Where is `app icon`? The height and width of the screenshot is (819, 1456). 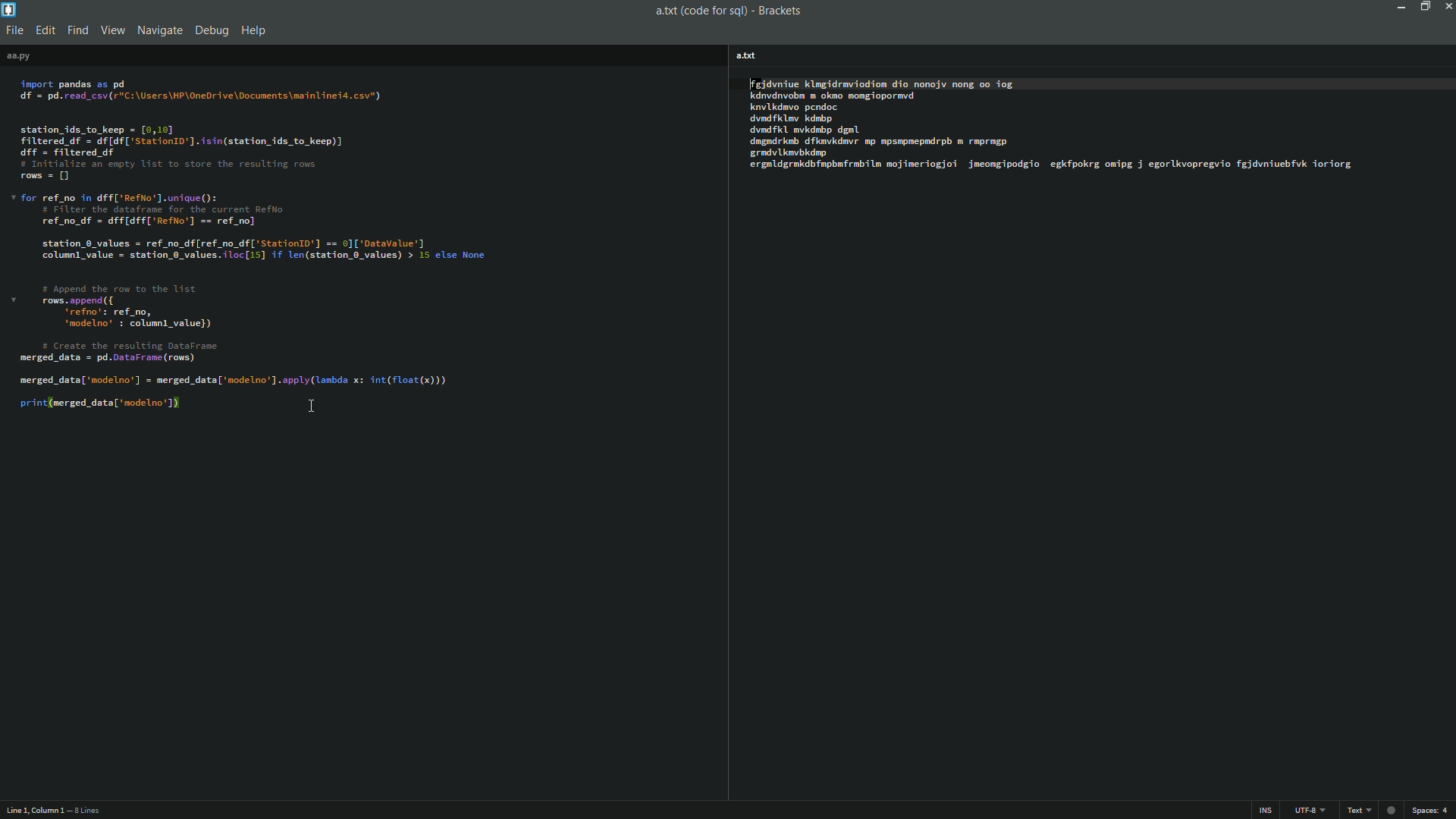
app icon is located at coordinates (10, 10).